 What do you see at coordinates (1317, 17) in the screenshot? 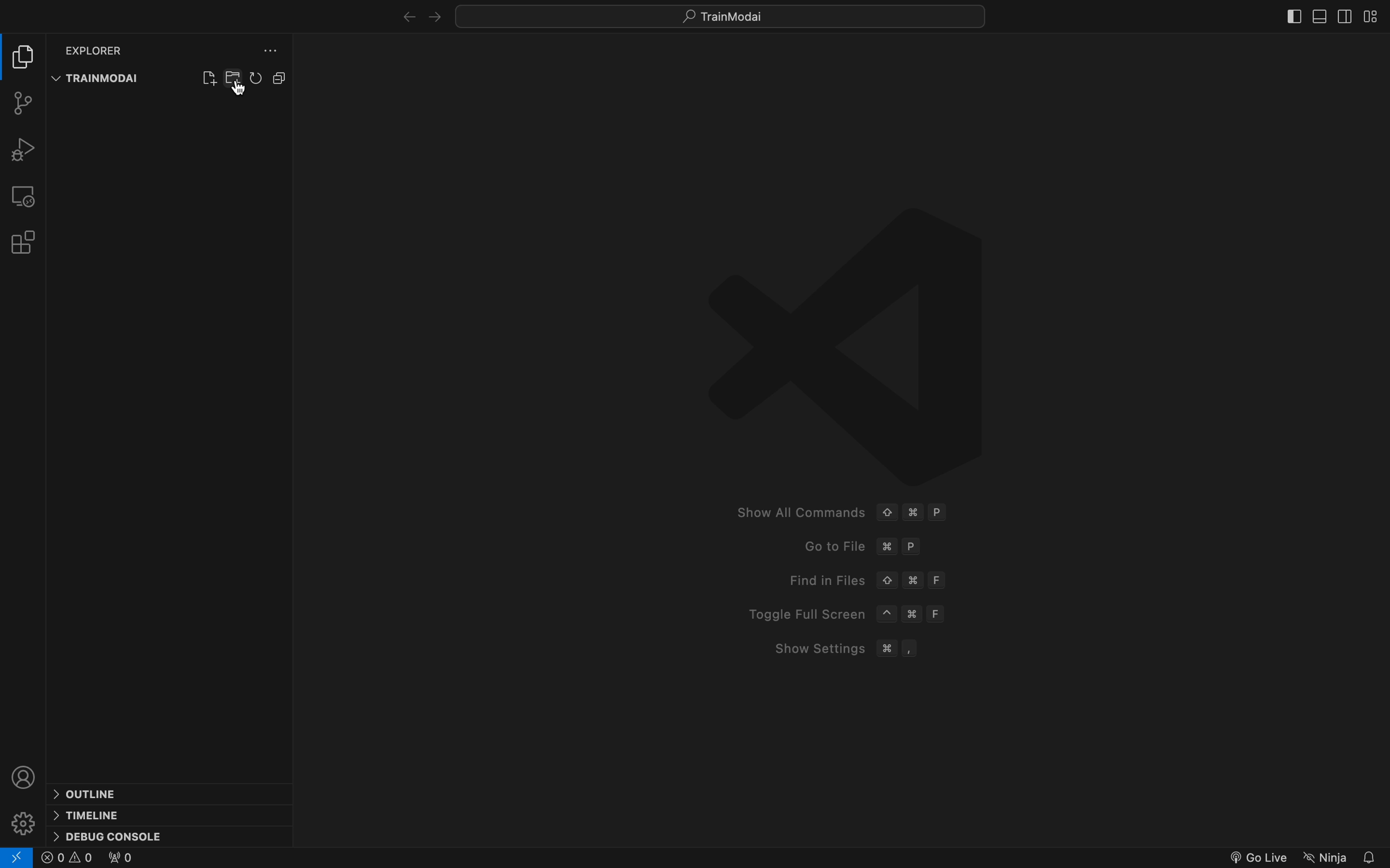
I see `toggle primary bar` at bounding box center [1317, 17].